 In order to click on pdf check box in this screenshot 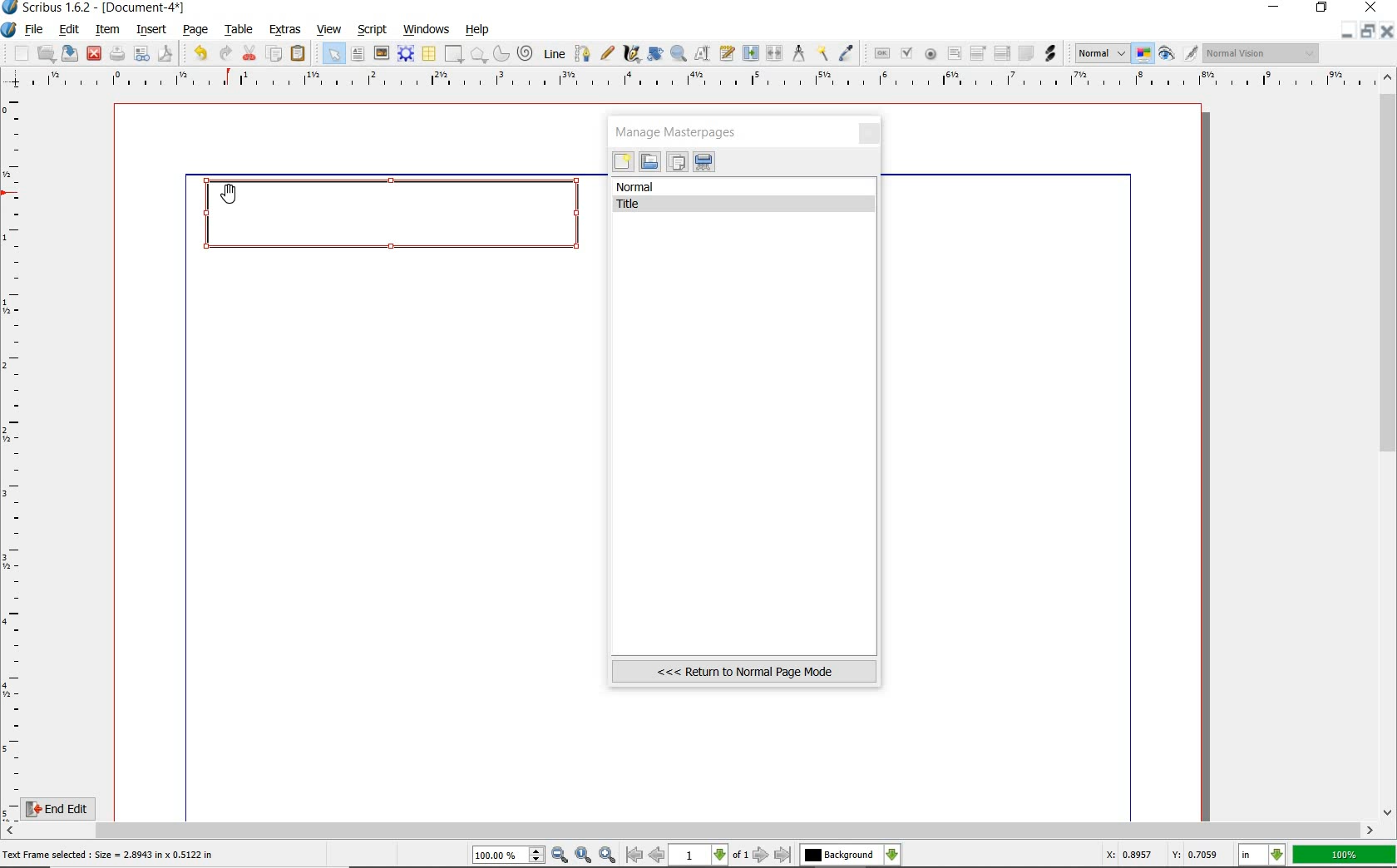, I will do `click(906, 53)`.